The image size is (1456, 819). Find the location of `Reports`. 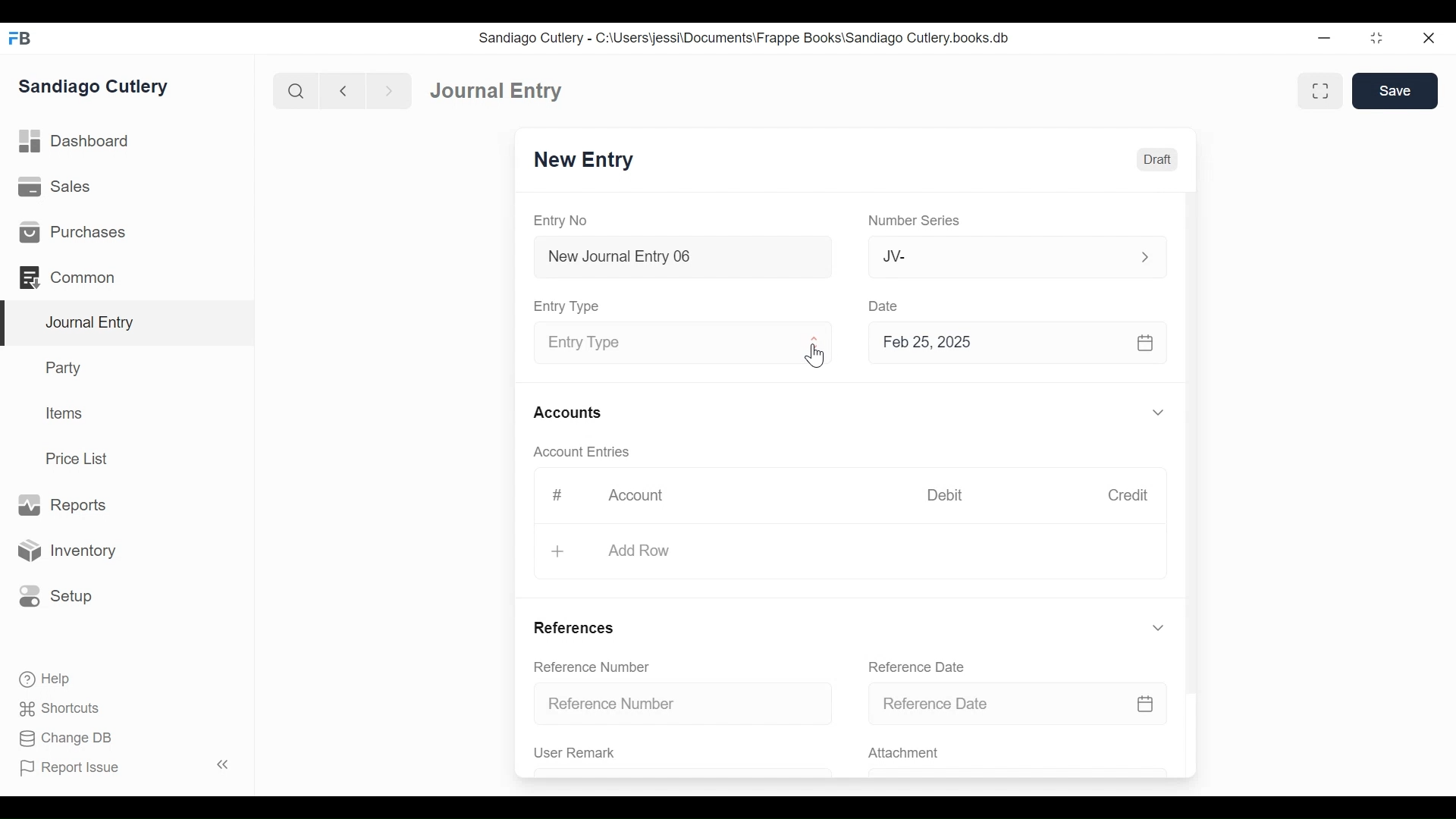

Reports is located at coordinates (61, 506).